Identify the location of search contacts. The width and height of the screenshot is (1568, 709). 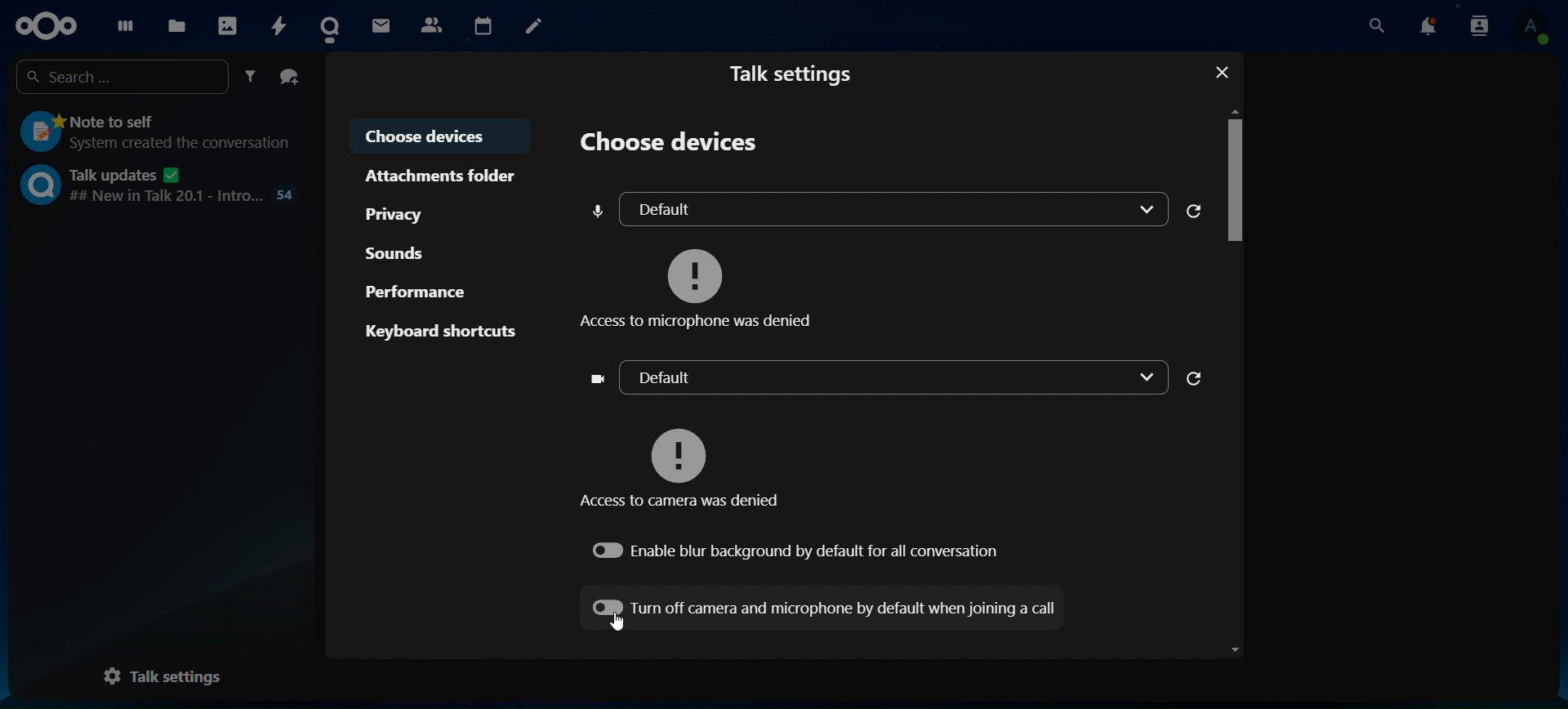
(1479, 25).